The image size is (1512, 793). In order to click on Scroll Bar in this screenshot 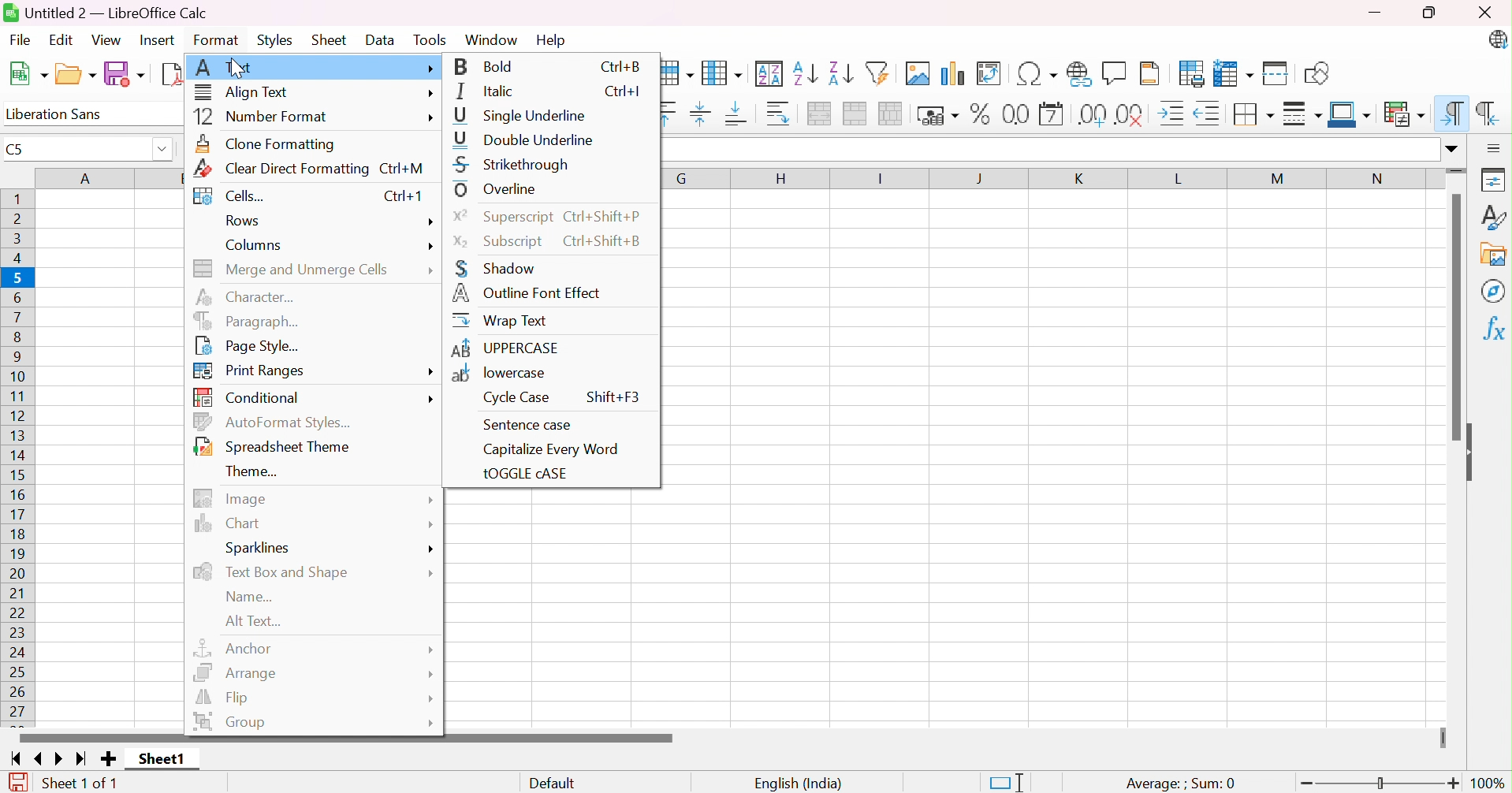, I will do `click(348, 738)`.